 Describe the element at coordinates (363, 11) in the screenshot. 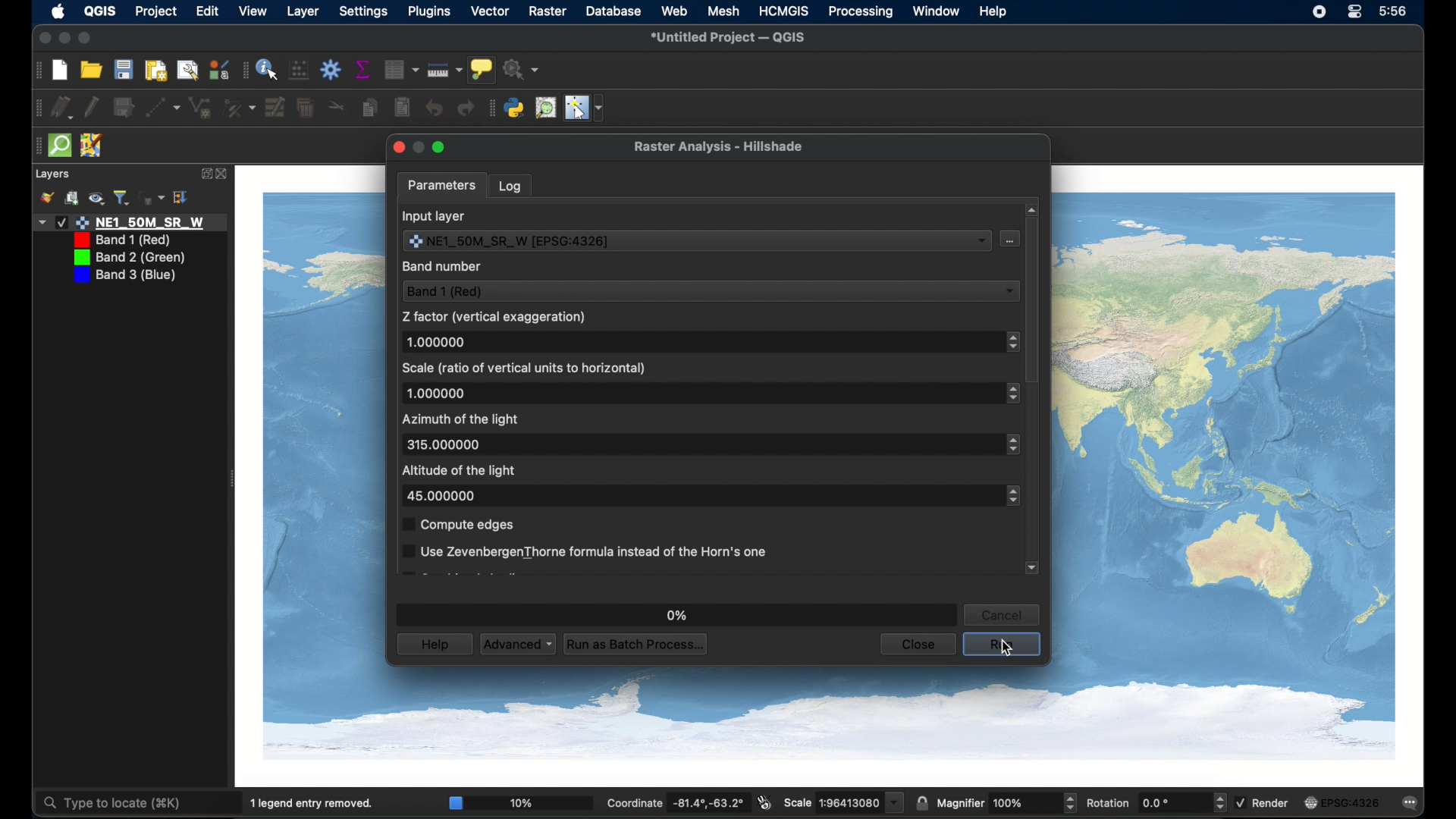

I see `settings` at that location.